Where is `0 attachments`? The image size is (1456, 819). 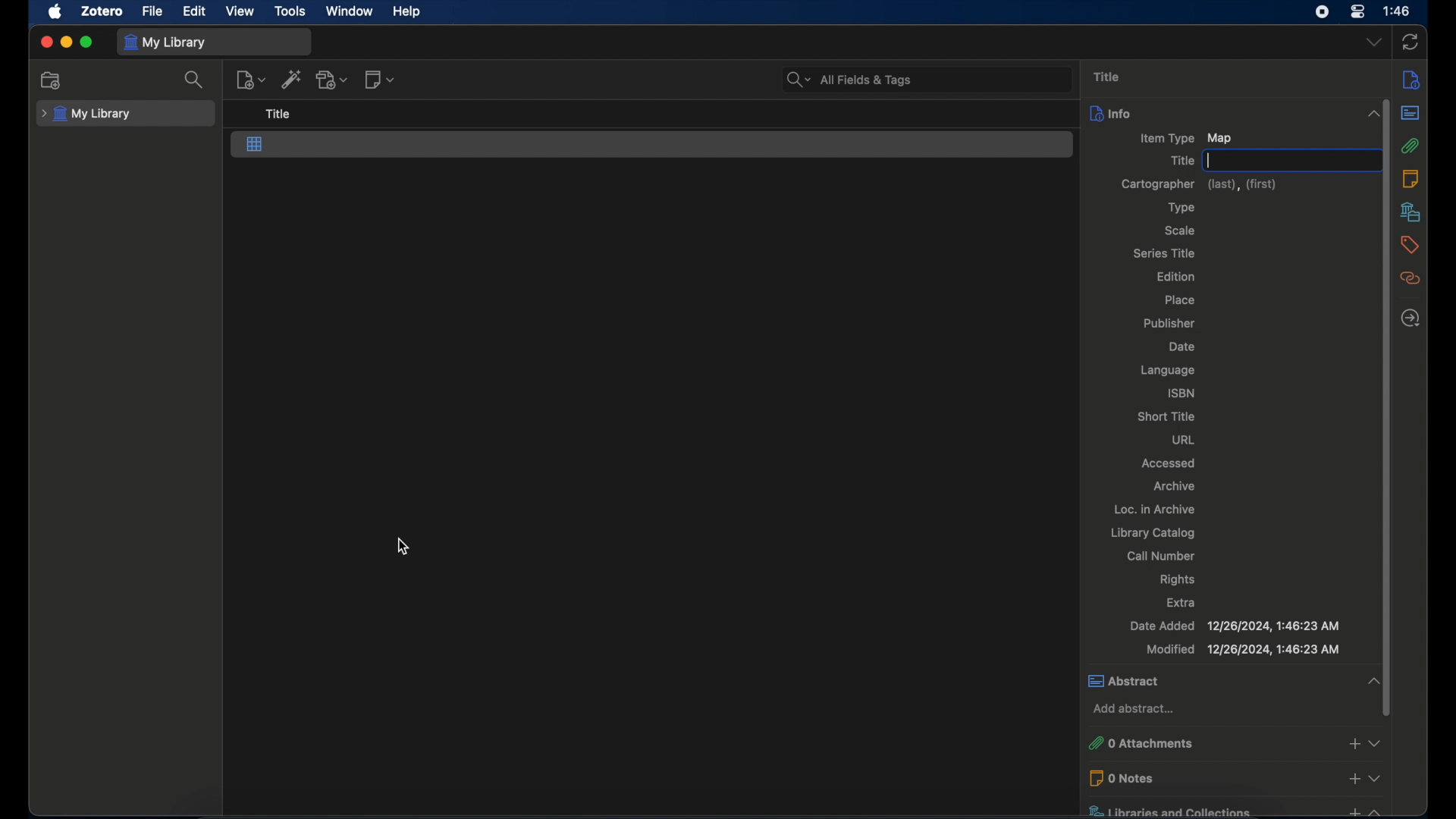 0 attachments is located at coordinates (1206, 742).